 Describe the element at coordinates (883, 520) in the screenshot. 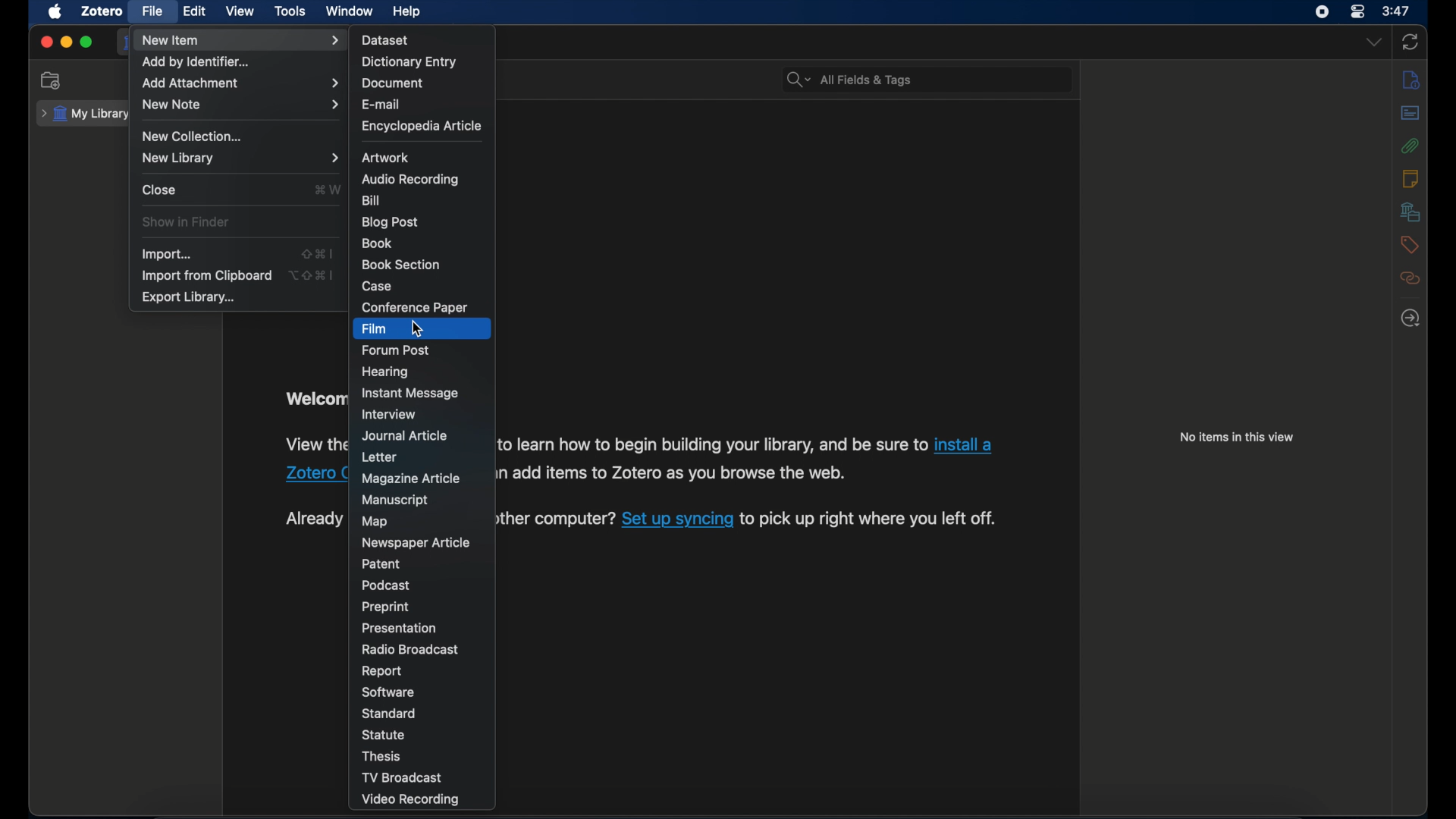

I see `text` at that location.